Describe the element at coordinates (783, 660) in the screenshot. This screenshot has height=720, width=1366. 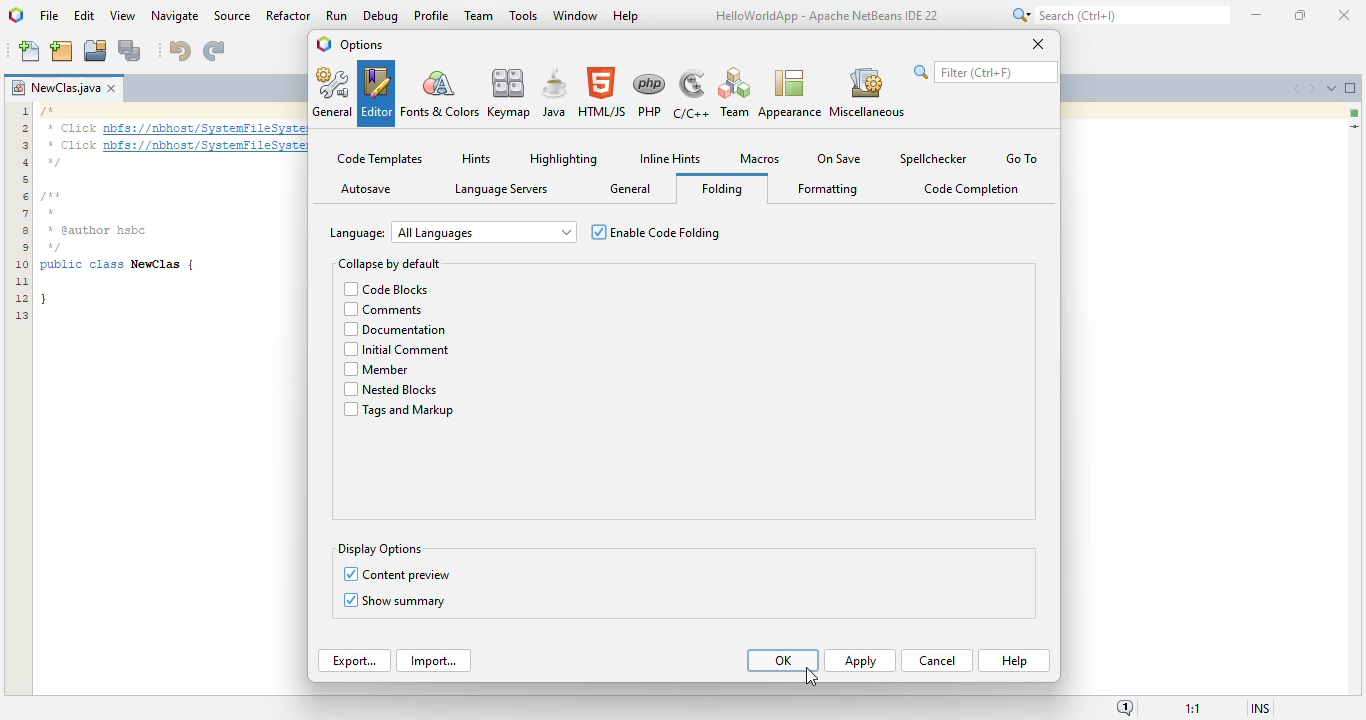
I see `OK` at that location.